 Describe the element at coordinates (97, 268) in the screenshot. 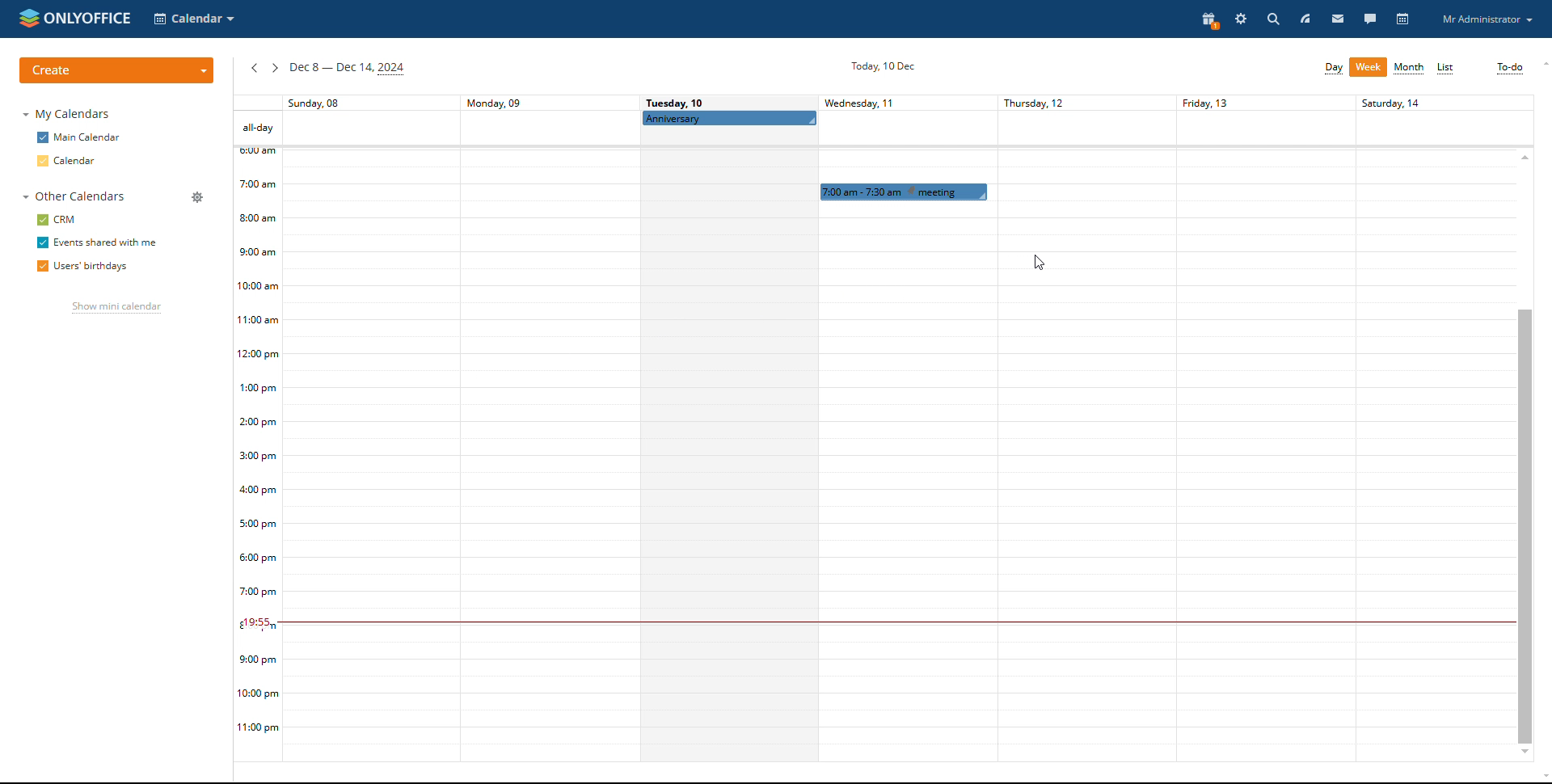

I see `users' birthdays` at that location.